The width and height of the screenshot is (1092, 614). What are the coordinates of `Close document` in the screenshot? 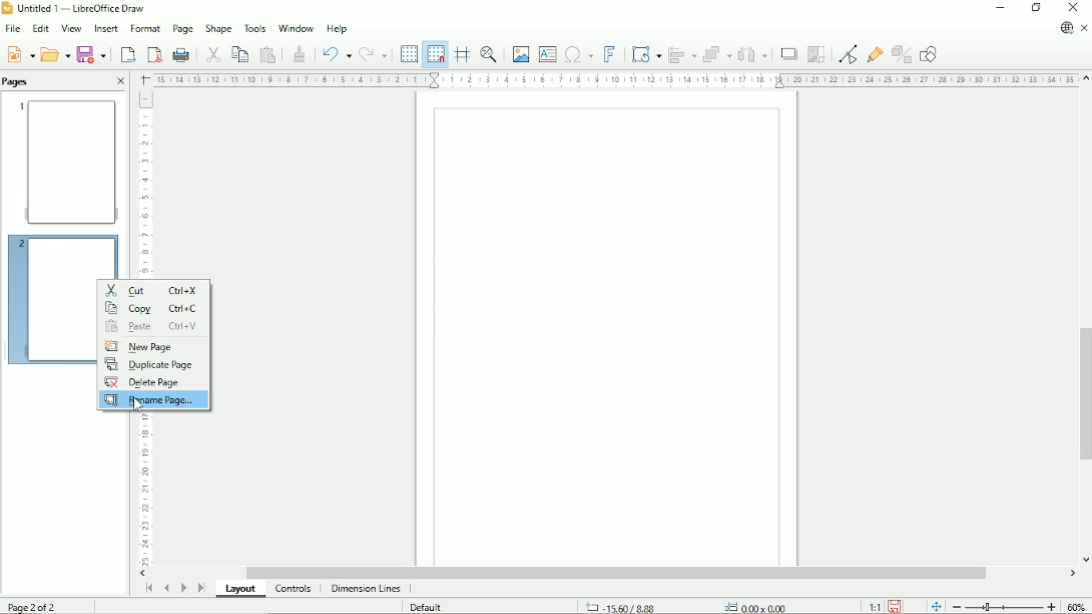 It's located at (1085, 29).